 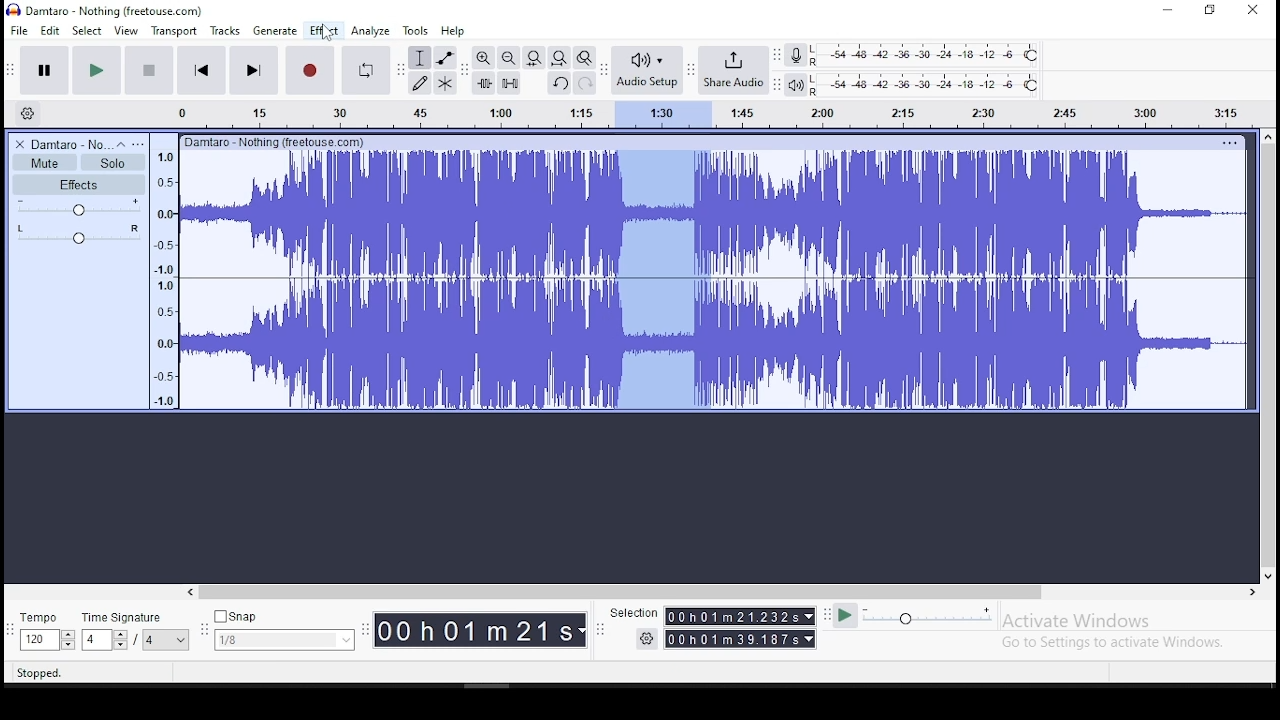 I want to click on draw tool, so click(x=420, y=83).